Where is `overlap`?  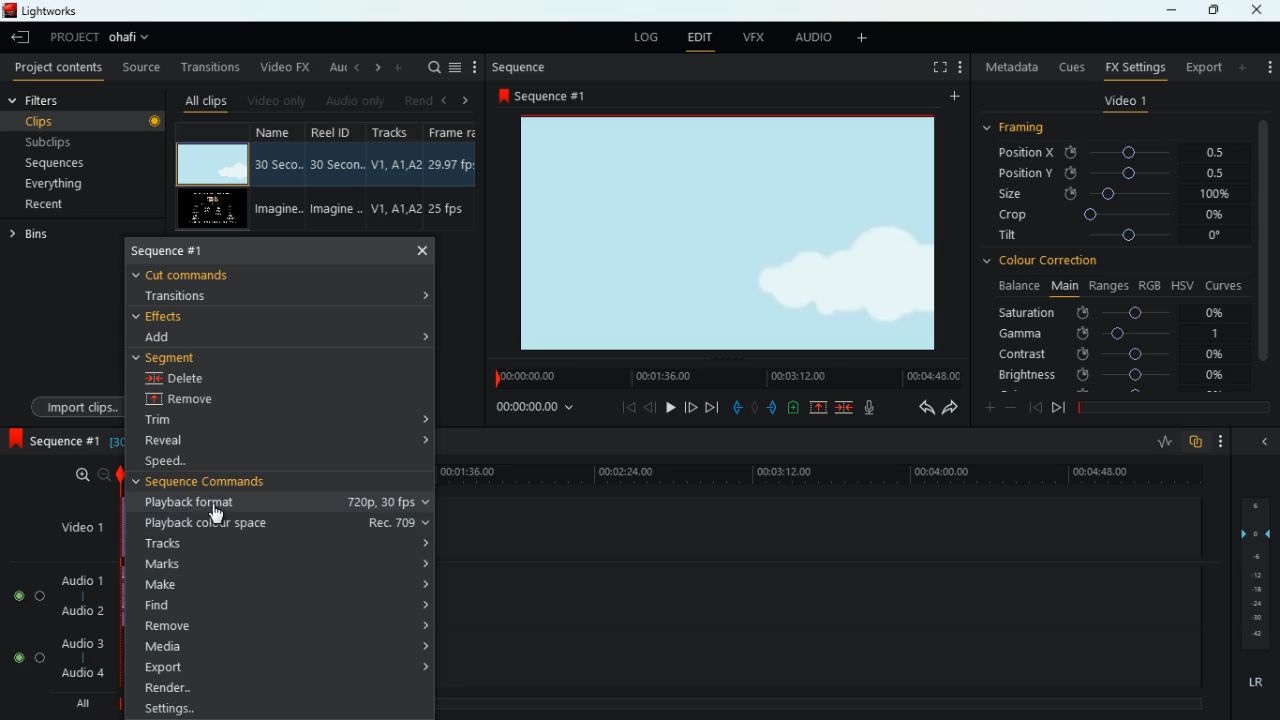
overlap is located at coordinates (1194, 444).